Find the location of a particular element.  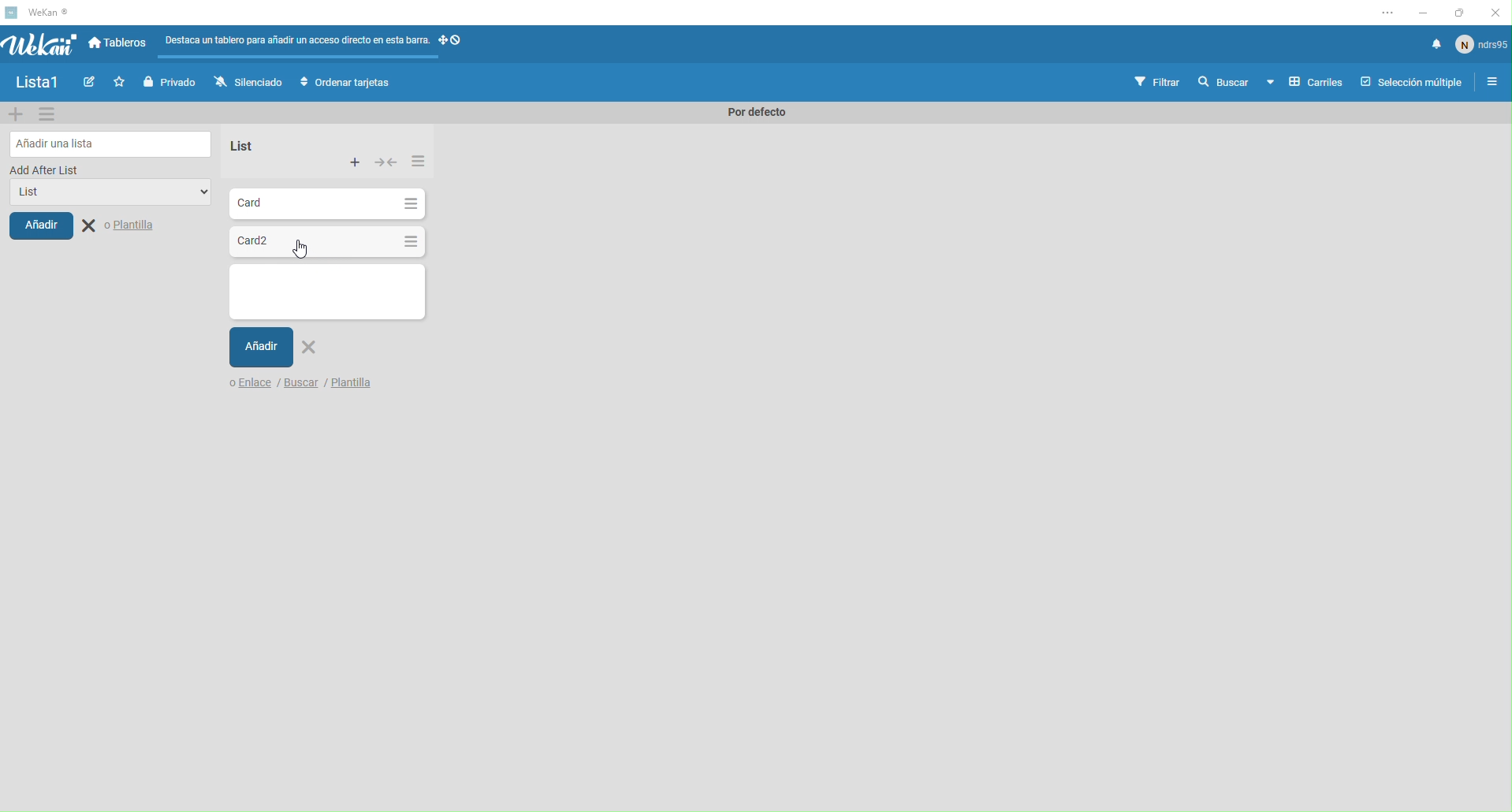

añadir is located at coordinates (54, 230).